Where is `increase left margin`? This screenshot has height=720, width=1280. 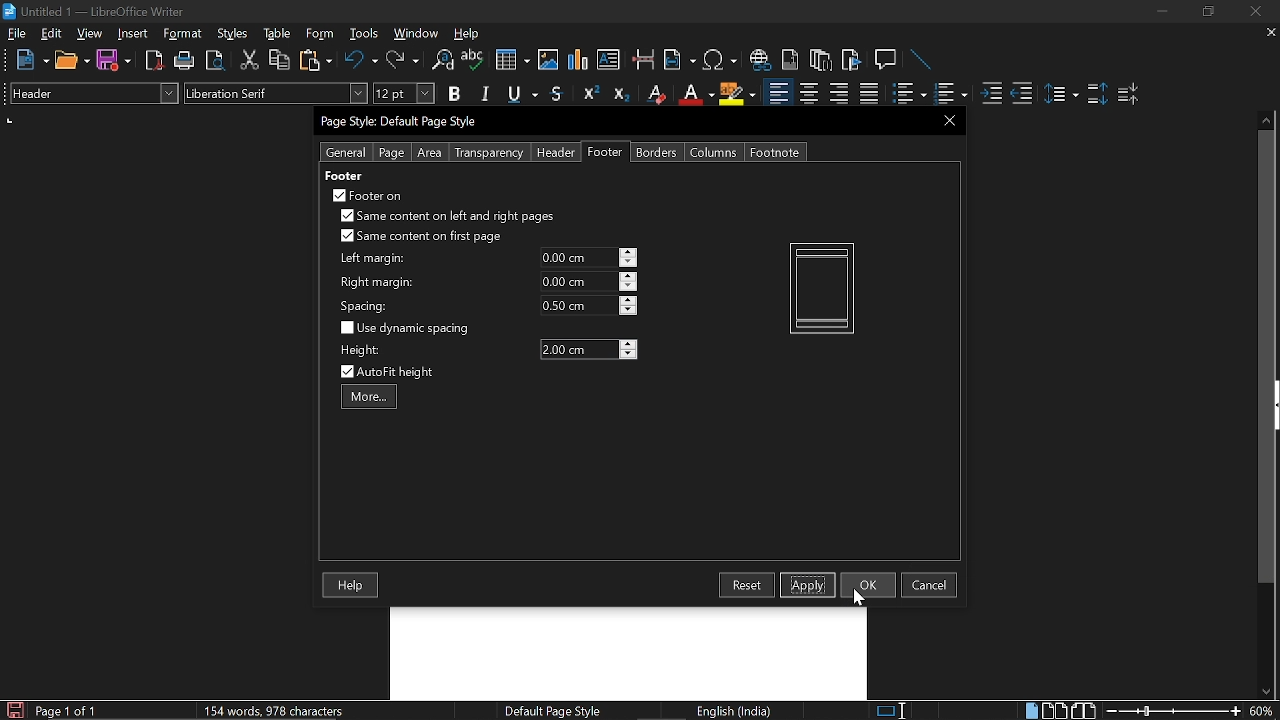 increase left margin is located at coordinates (629, 252).